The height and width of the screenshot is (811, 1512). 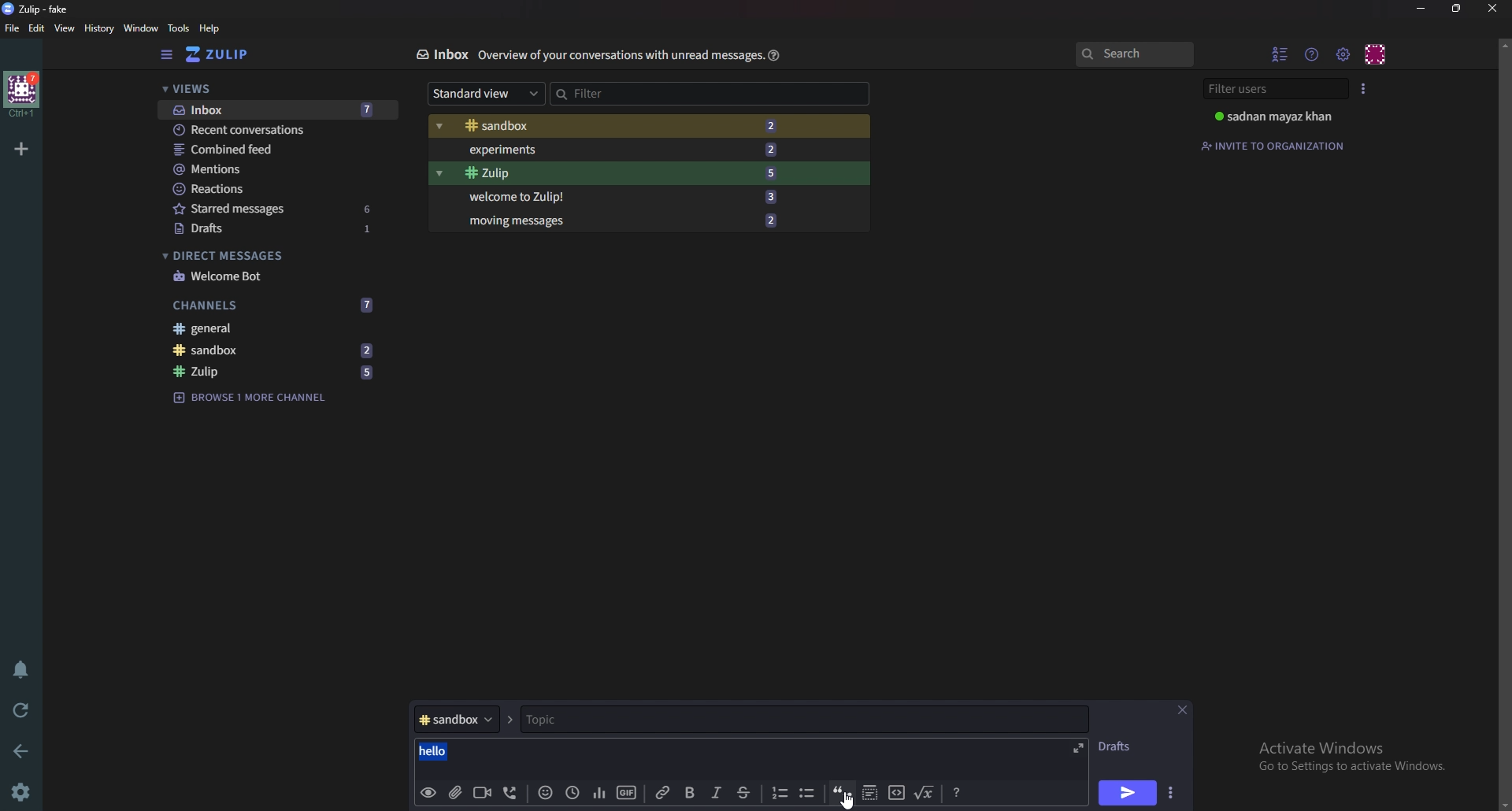 I want to click on 2, so click(x=370, y=350).